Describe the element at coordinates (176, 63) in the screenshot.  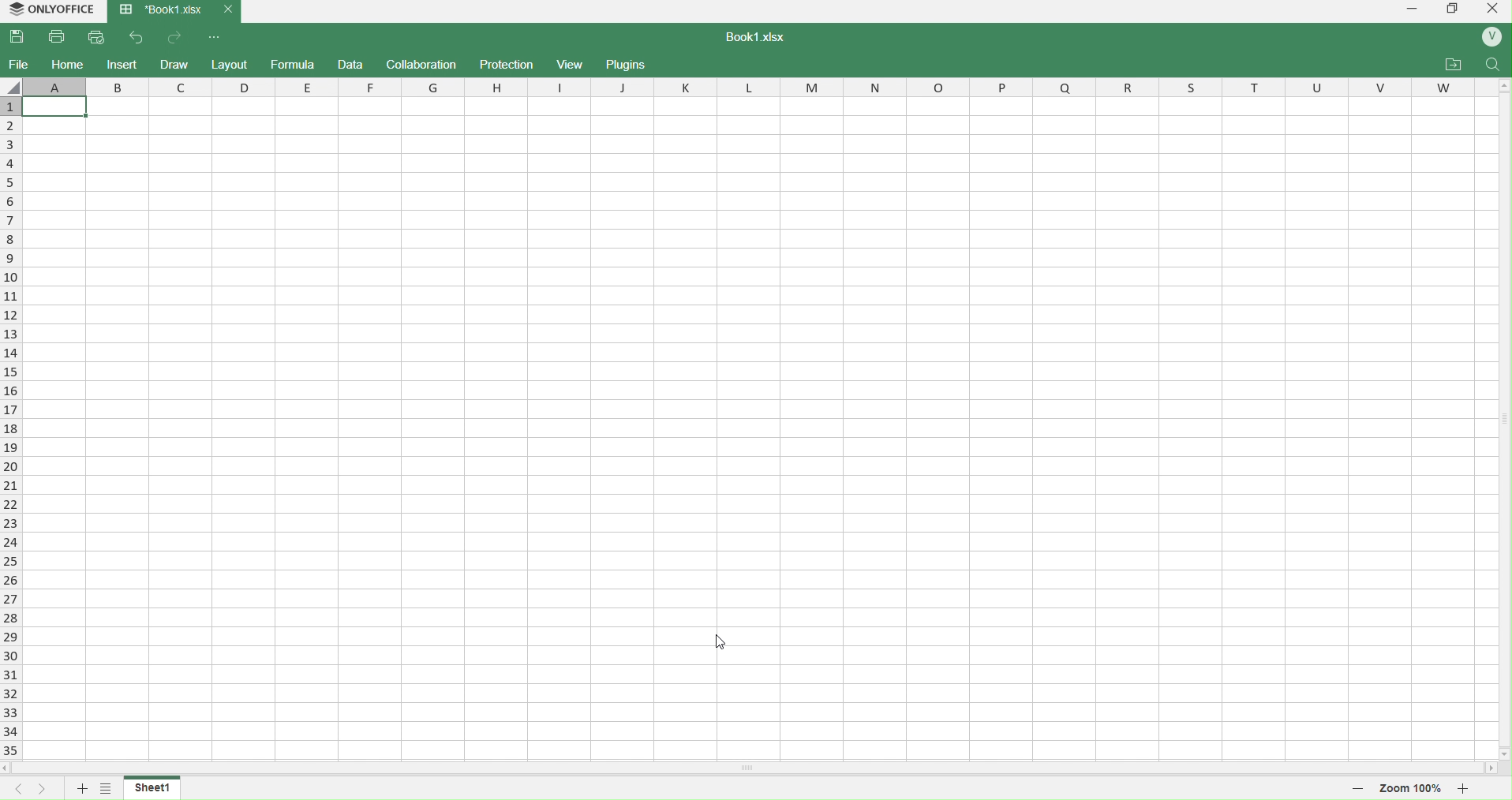
I see `draw` at that location.